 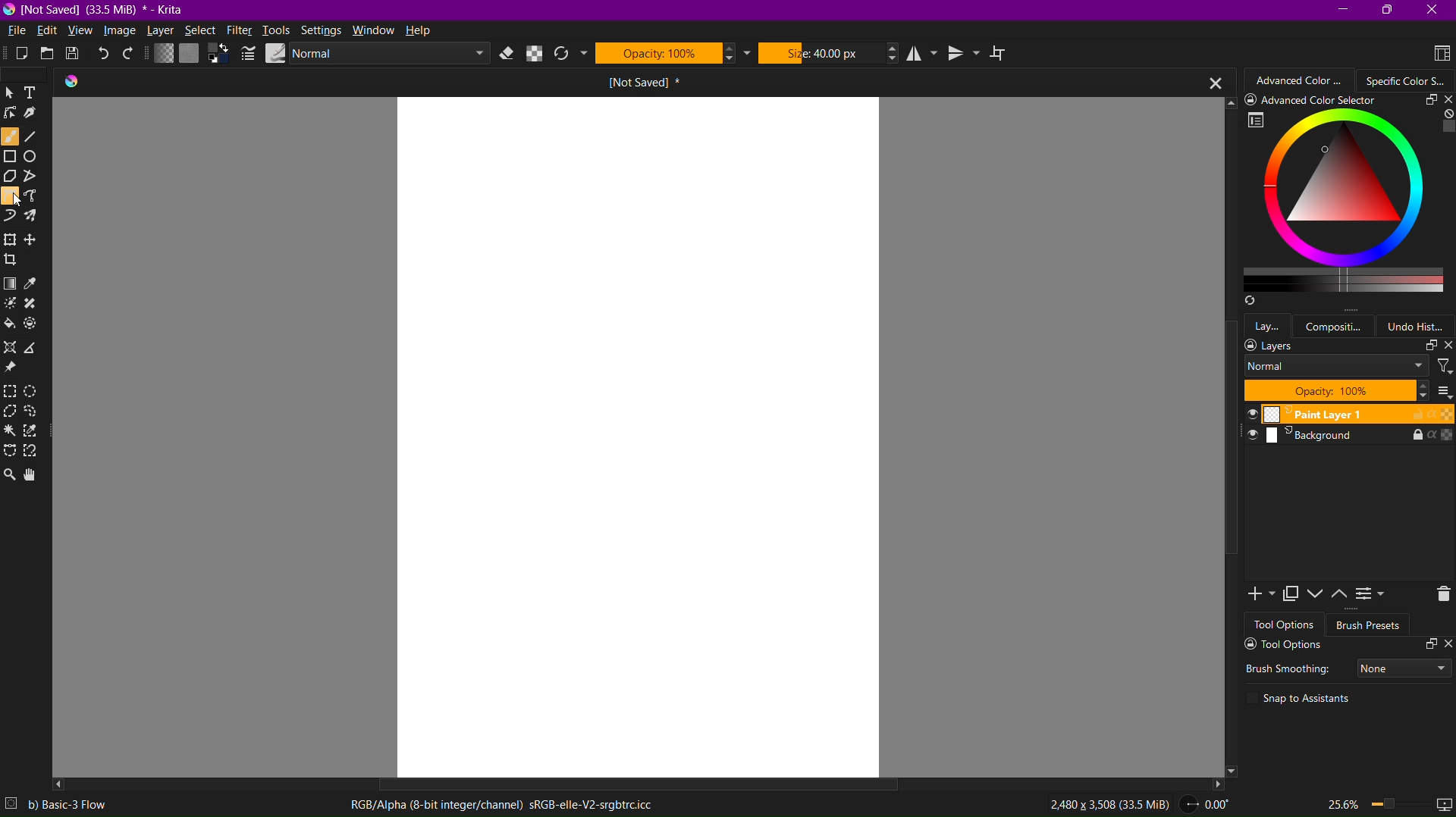 What do you see at coordinates (36, 92) in the screenshot?
I see `Text Tool` at bounding box center [36, 92].